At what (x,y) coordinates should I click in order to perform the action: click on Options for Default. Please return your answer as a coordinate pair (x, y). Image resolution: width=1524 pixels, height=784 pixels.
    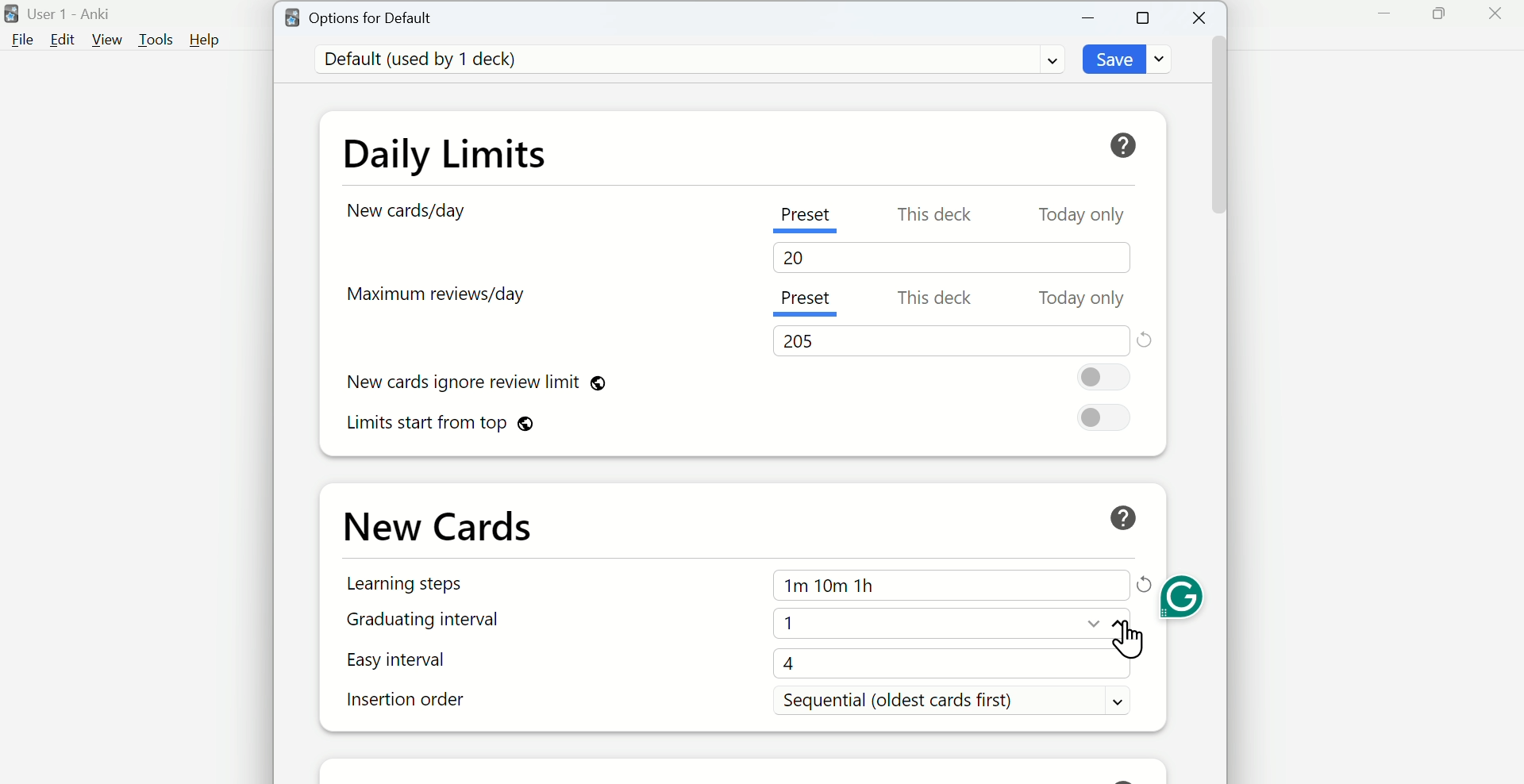
    Looking at the image, I should click on (369, 18).